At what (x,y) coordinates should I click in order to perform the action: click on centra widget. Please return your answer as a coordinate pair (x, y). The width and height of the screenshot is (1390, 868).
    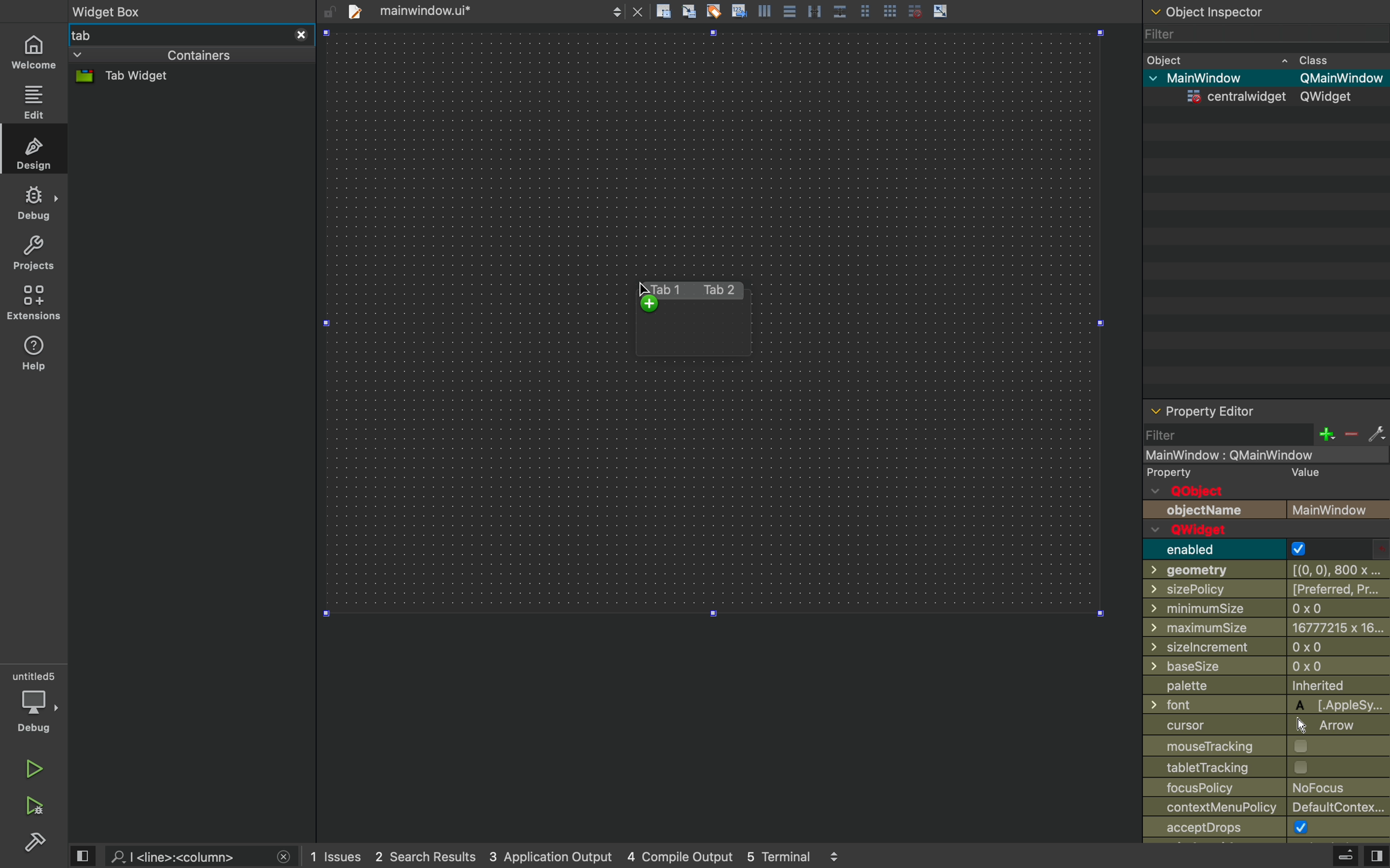
    Looking at the image, I should click on (1262, 99).